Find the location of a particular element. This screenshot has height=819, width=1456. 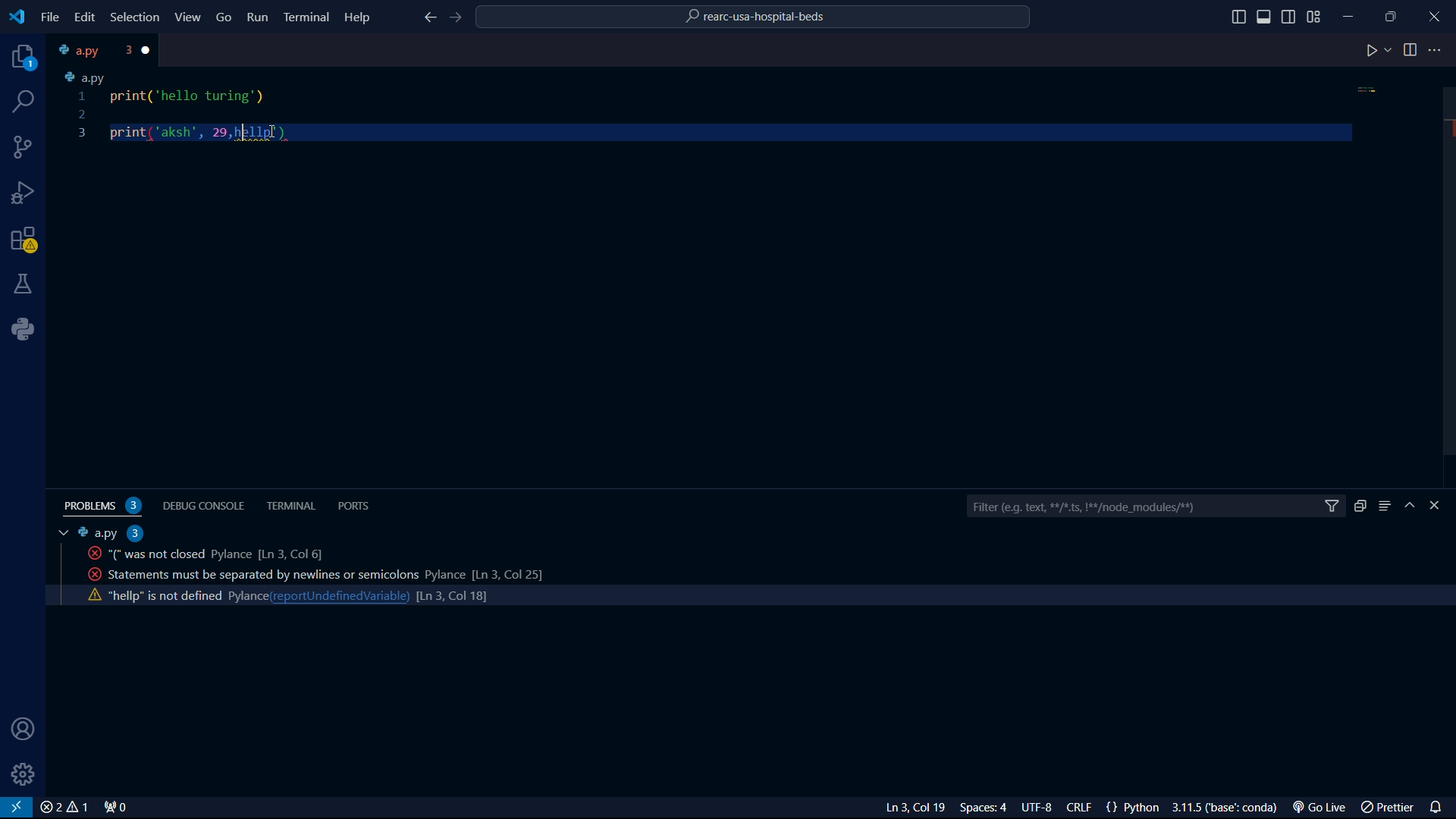

file is located at coordinates (50, 17).